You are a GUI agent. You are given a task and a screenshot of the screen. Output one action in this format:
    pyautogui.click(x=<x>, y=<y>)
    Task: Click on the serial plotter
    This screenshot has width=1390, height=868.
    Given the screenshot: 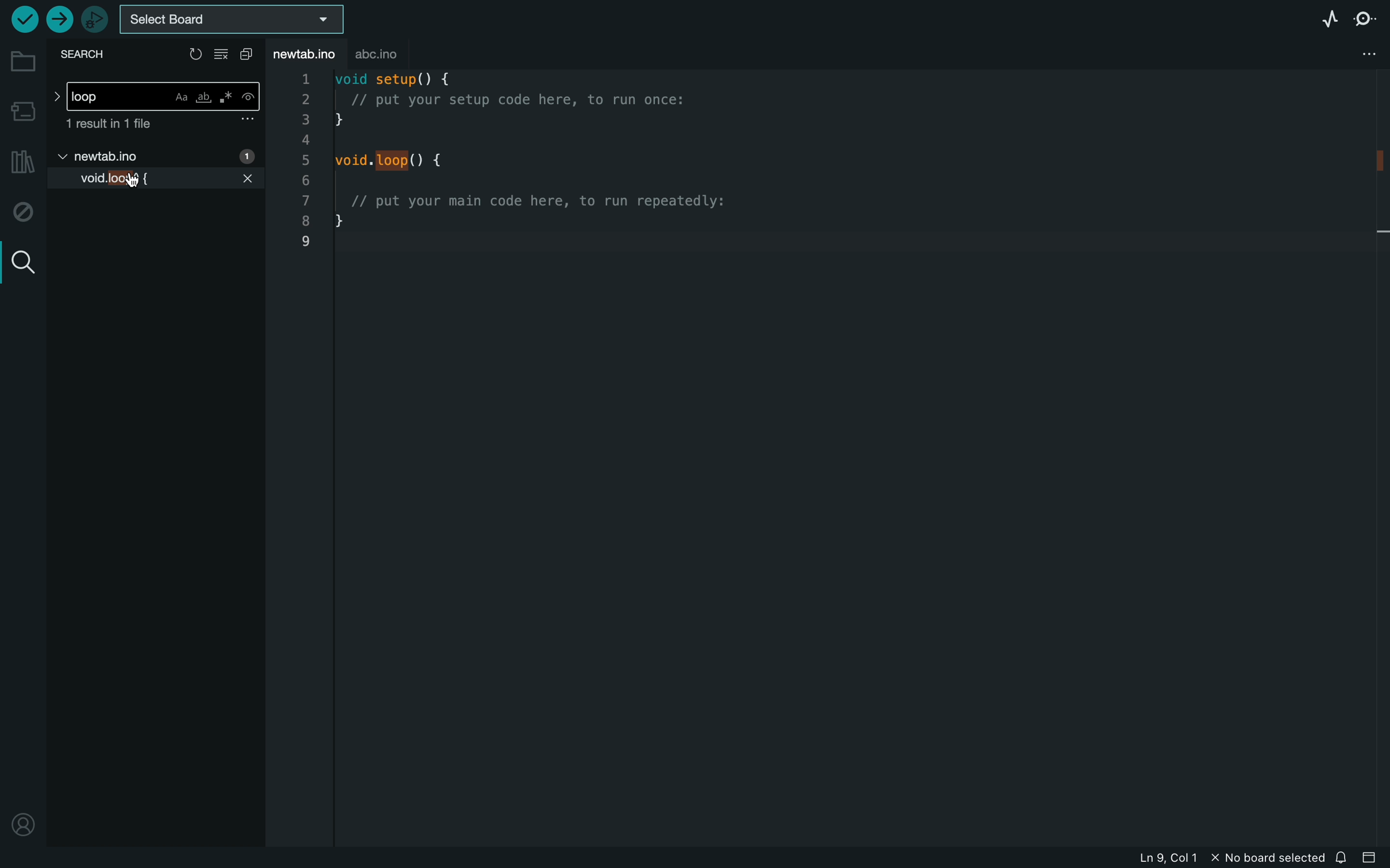 What is the action you would take?
    pyautogui.click(x=1315, y=17)
    